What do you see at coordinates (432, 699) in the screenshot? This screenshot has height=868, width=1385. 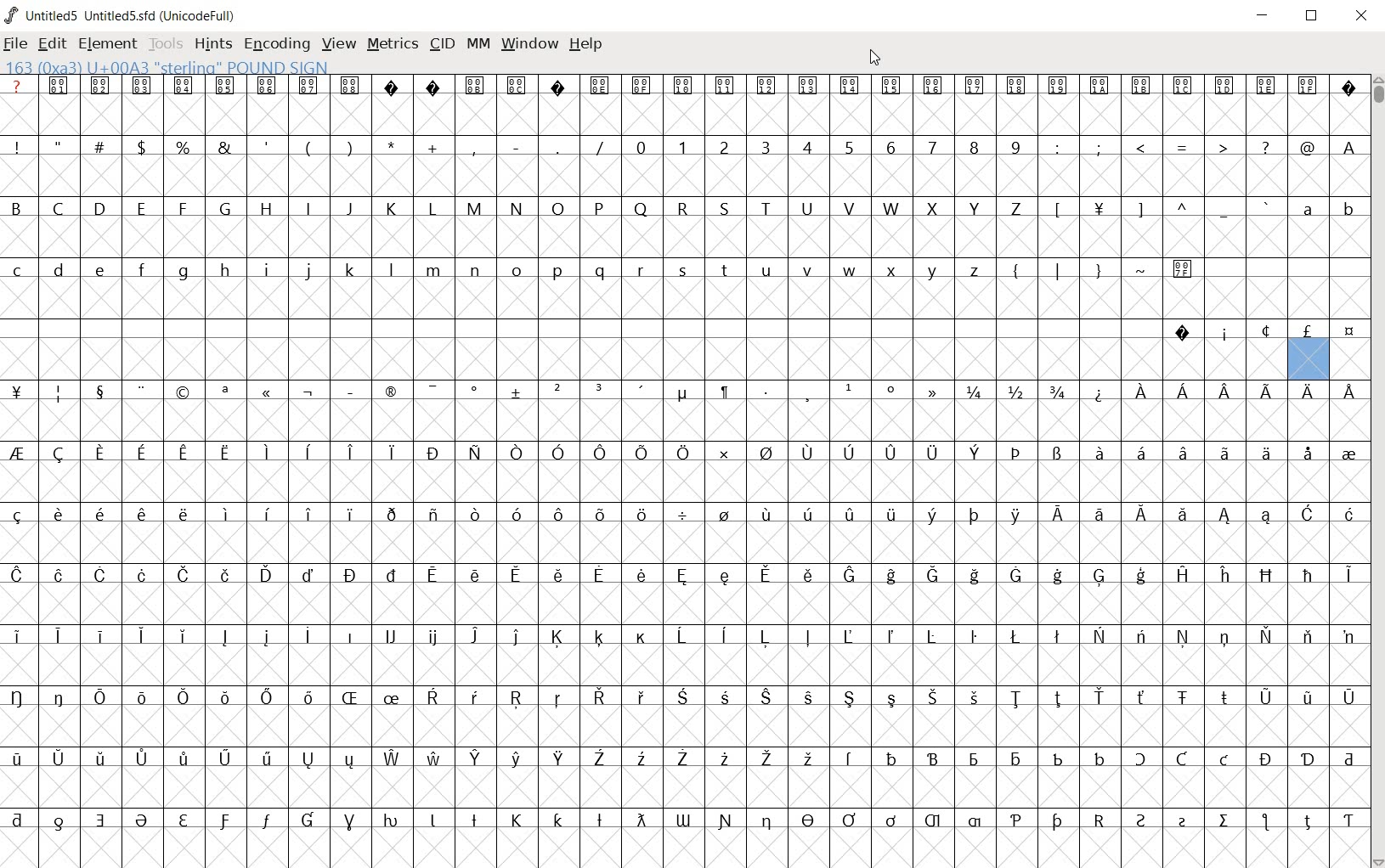 I see `Symbol` at bounding box center [432, 699].